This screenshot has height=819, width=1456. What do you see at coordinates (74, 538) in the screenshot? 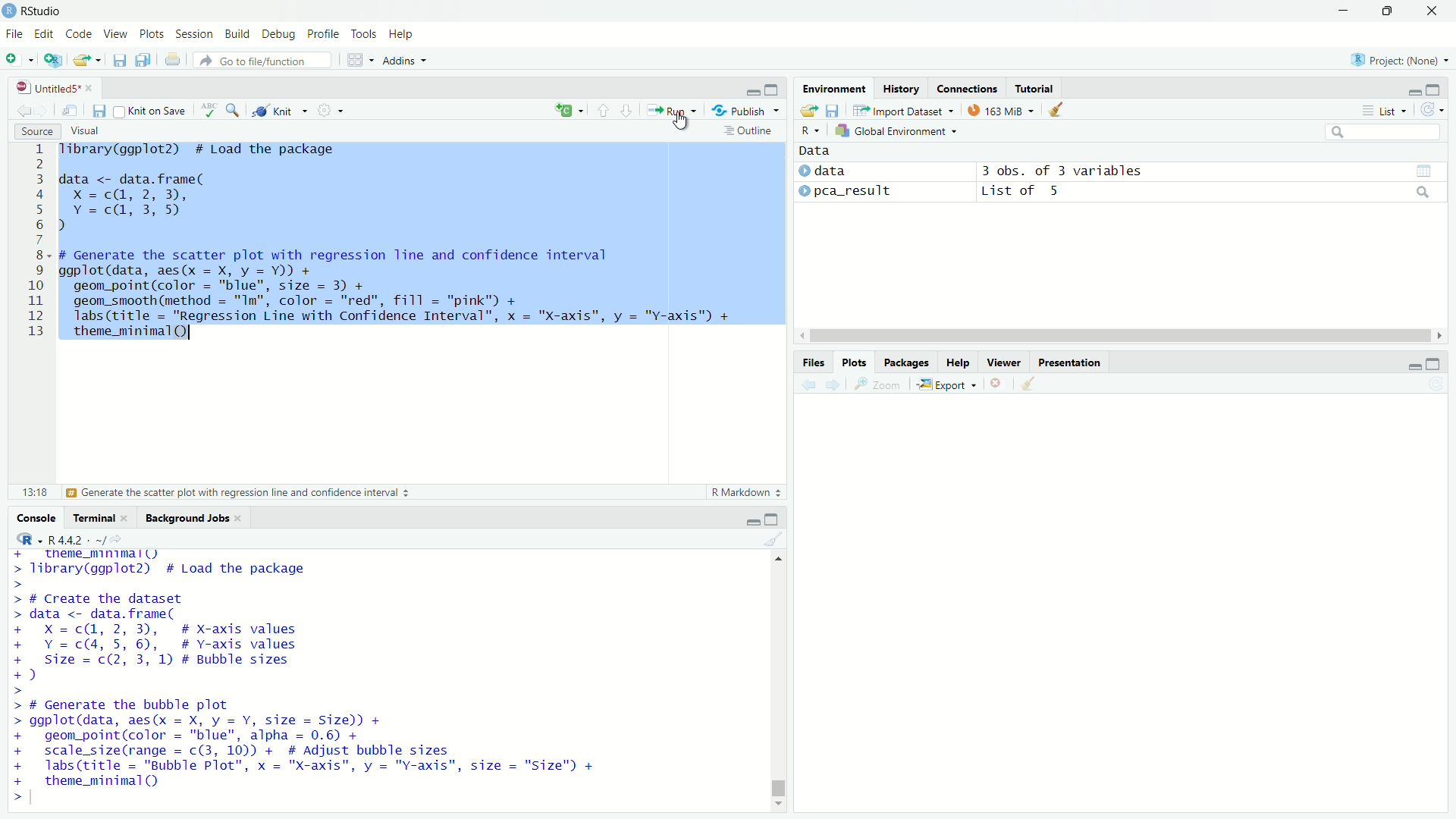
I see `R4.4.2. ~` at bounding box center [74, 538].